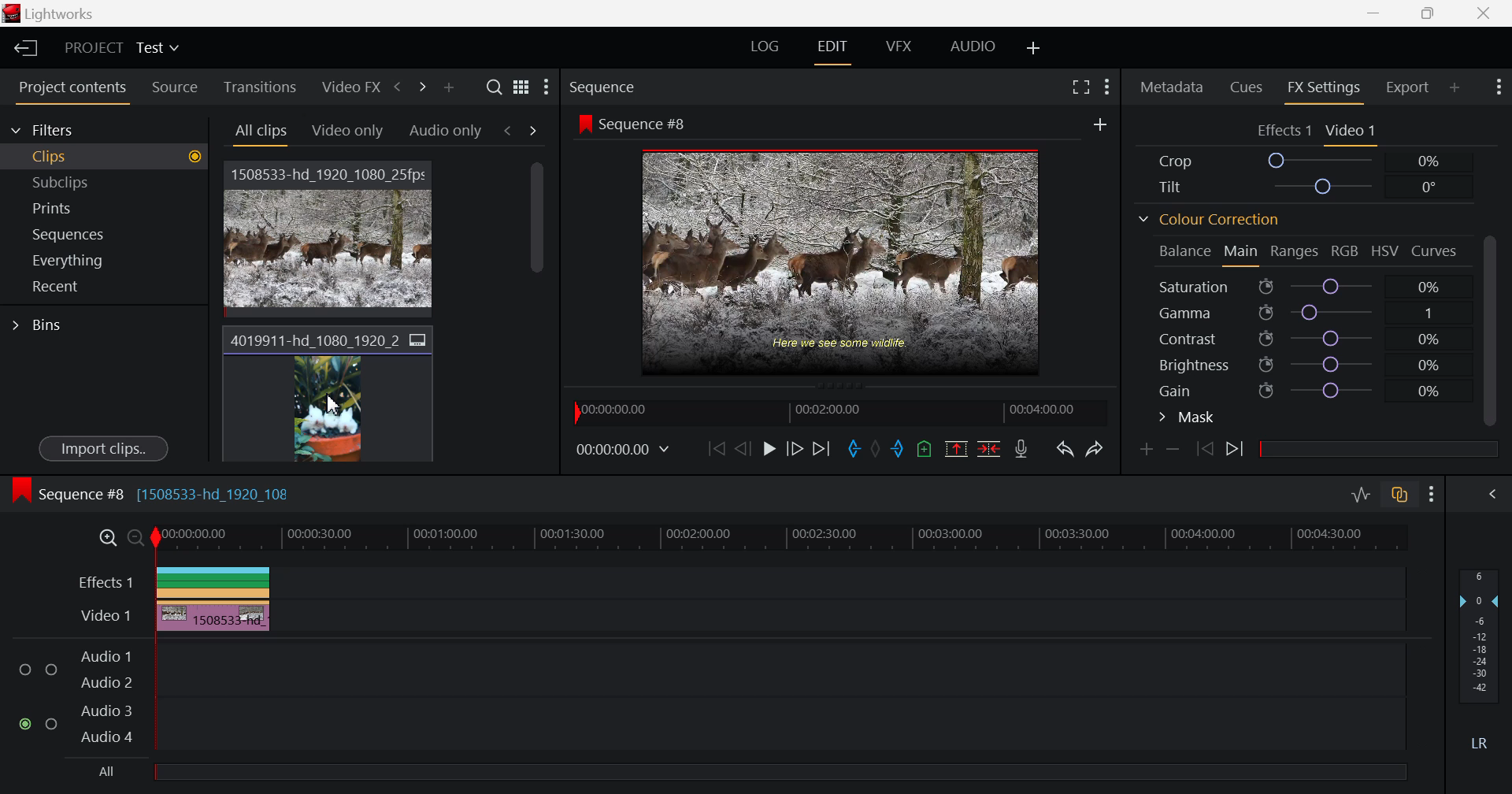  I want to click on cursor, so click(331, 406).